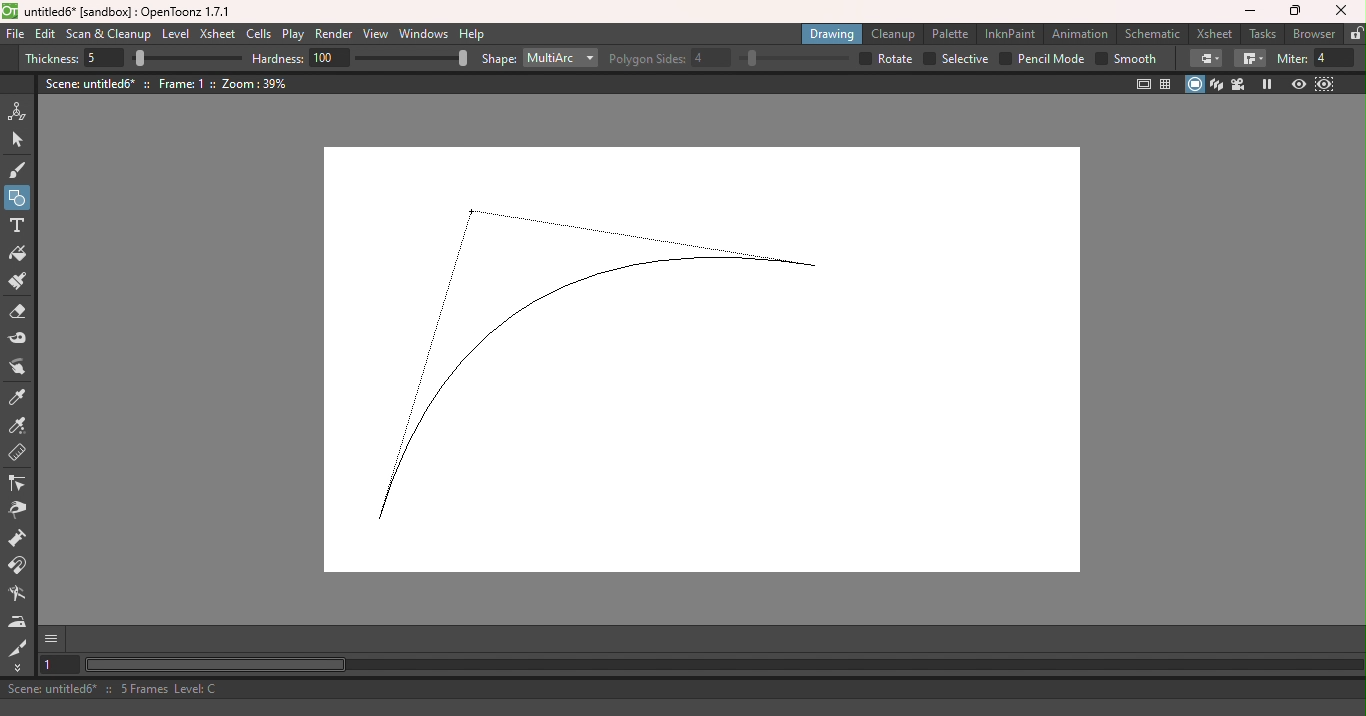 The image size is (1366, 716). What do you see at coordinates (18, 370) in the screenshot?
I see `Finger tool` at bounding box center [18, 370].